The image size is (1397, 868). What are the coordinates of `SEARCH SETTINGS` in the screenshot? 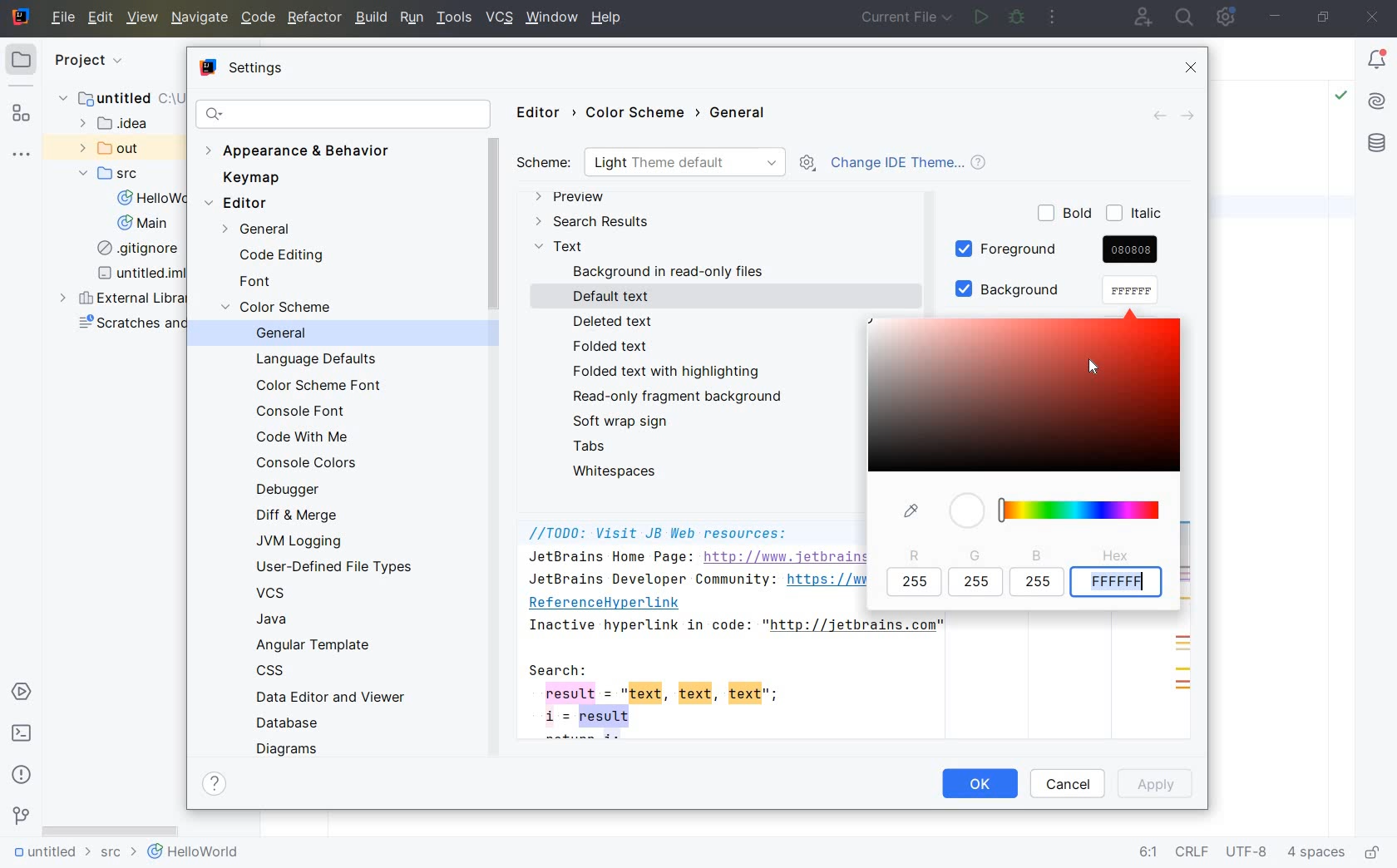 It's located at (343, 113).